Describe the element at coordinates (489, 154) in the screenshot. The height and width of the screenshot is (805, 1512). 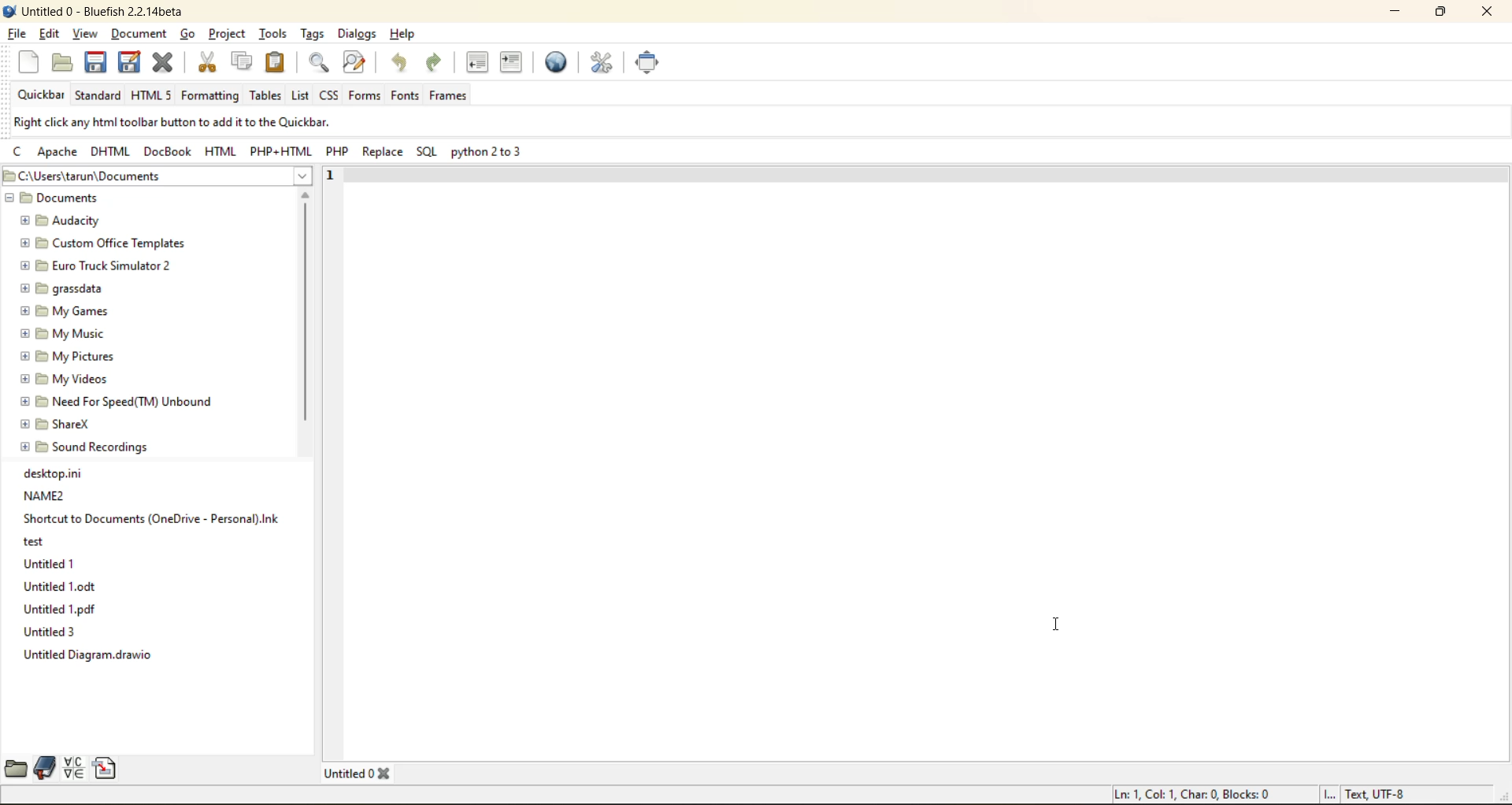
I see `python 2 to 3` at that location.